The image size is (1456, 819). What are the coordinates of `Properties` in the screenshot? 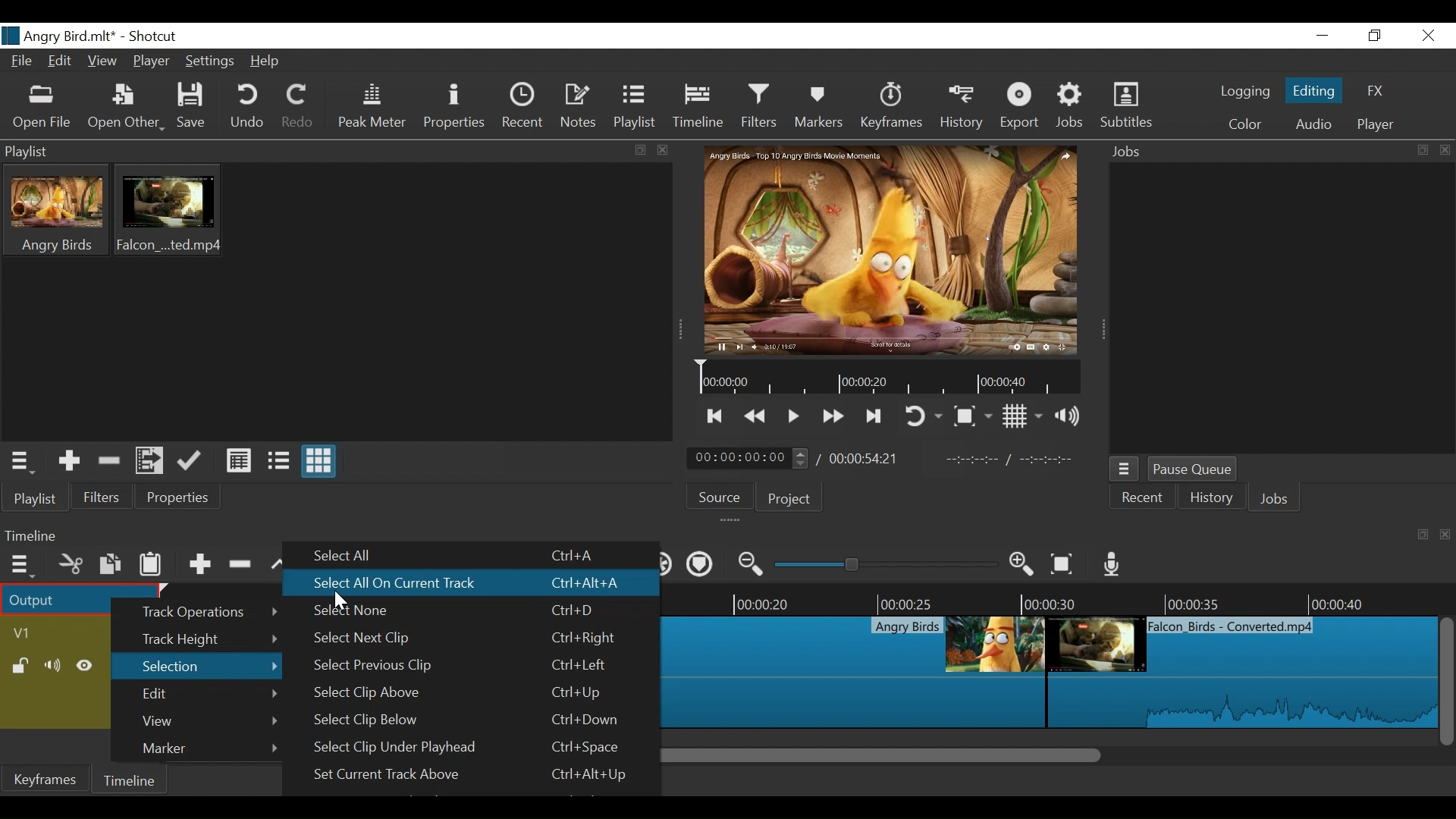 It's located at (175, 497).